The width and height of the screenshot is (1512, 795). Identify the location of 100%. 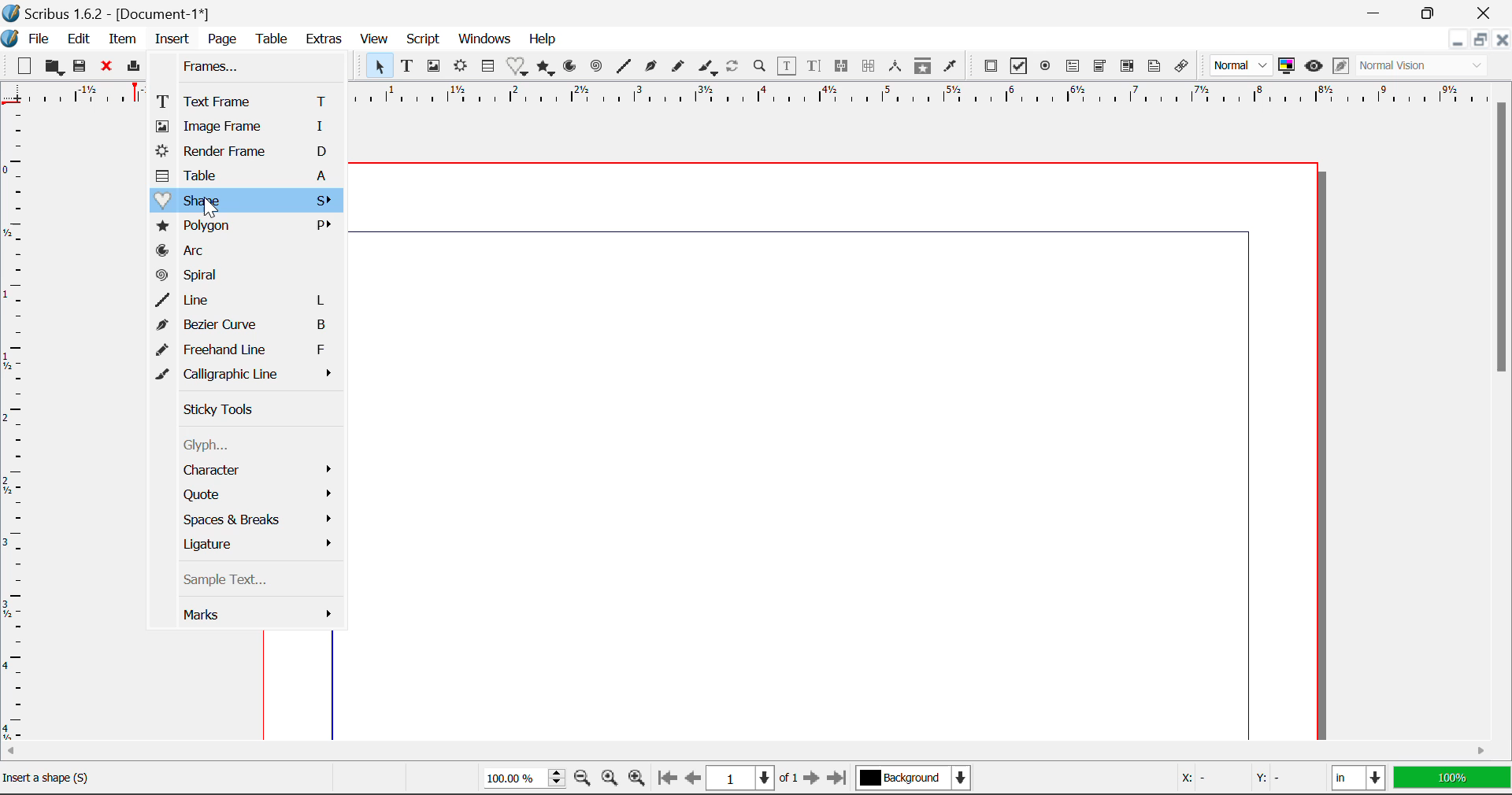
(520, 780).